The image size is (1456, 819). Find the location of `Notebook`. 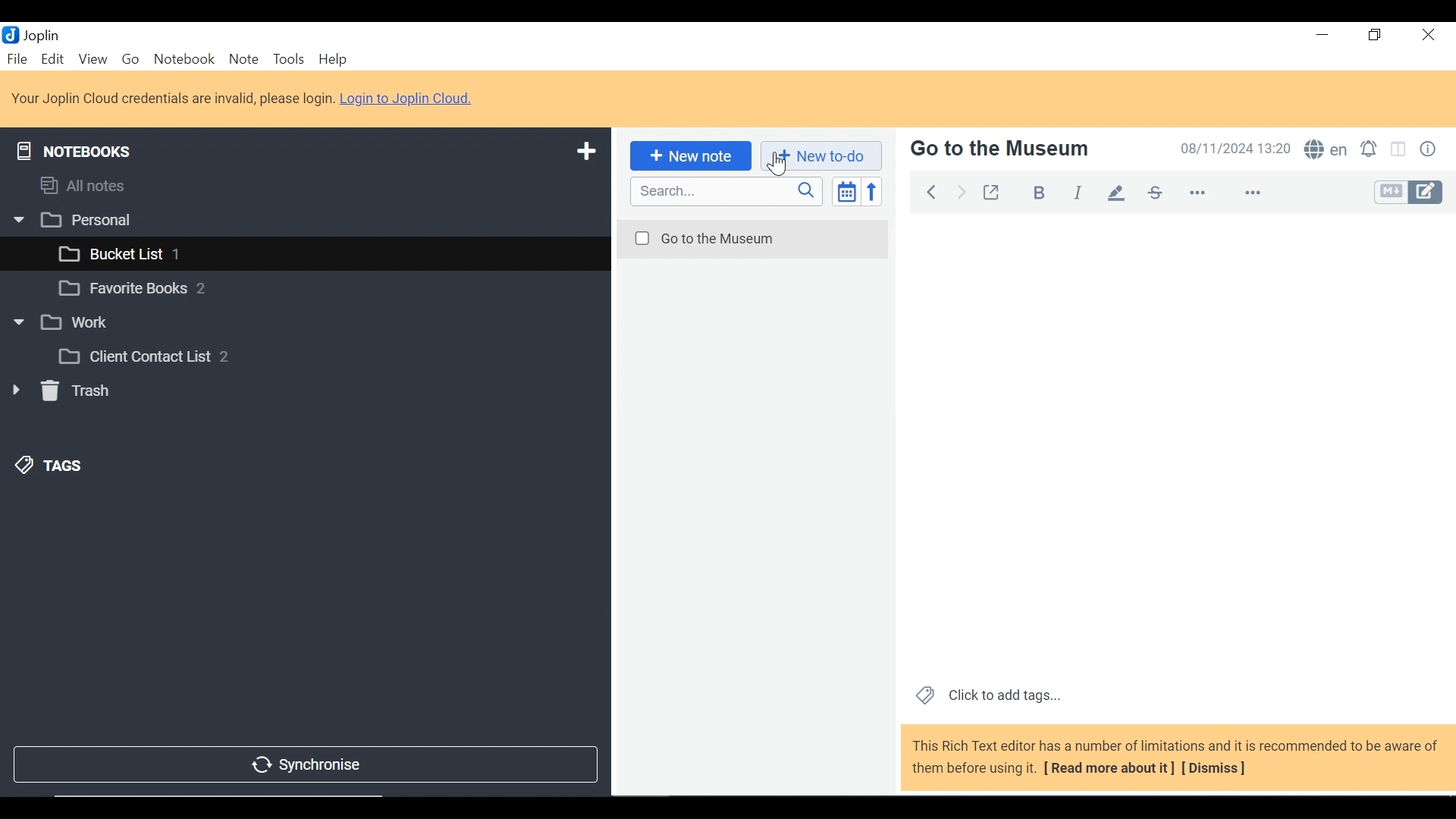

Notebook is located at coordinates (184, 60).